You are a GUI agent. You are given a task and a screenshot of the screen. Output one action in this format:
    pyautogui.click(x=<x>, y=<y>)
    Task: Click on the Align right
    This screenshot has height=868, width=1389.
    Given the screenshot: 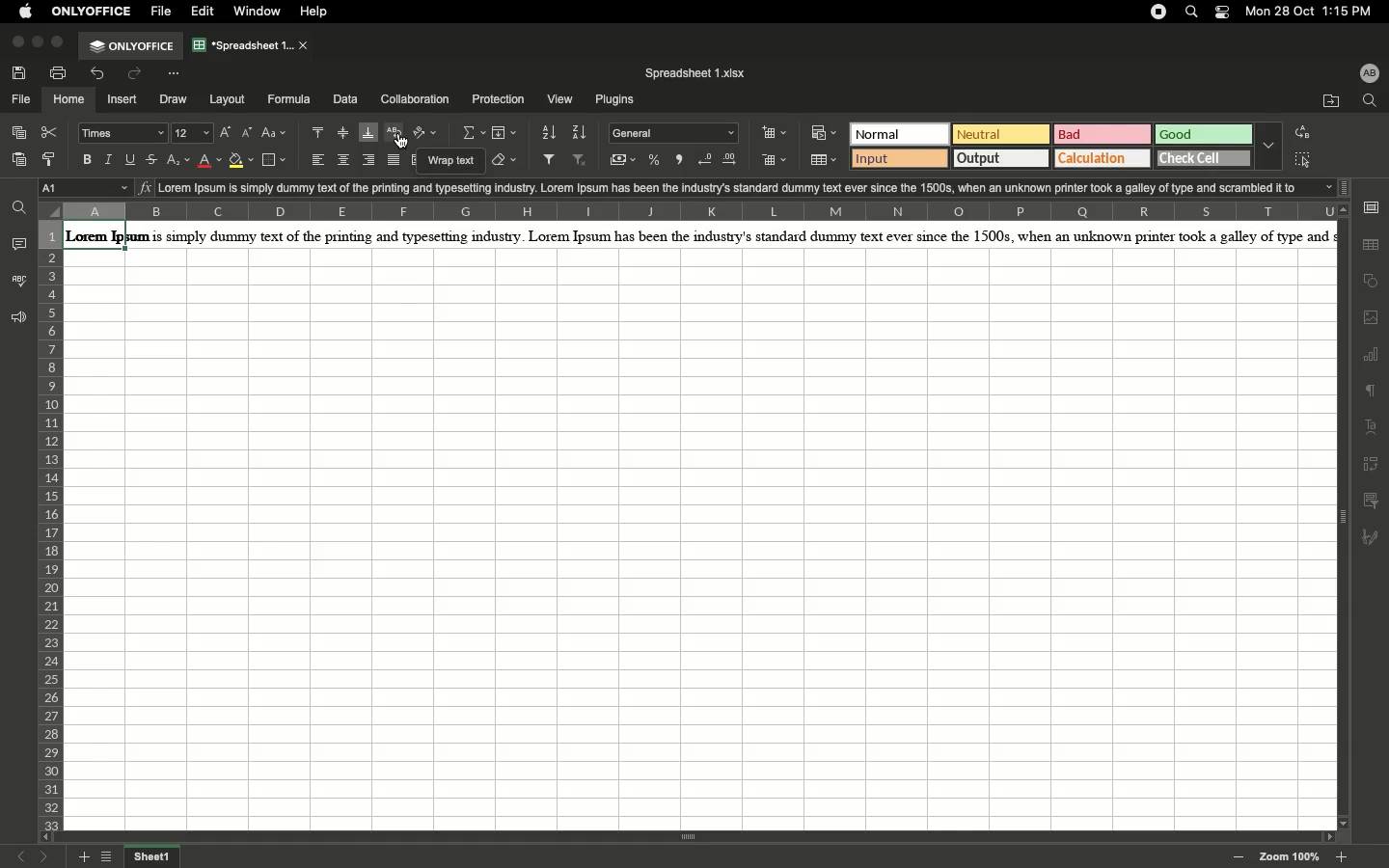 What is the action you would take?
    pyautogui.click(x=370, y=160)
    